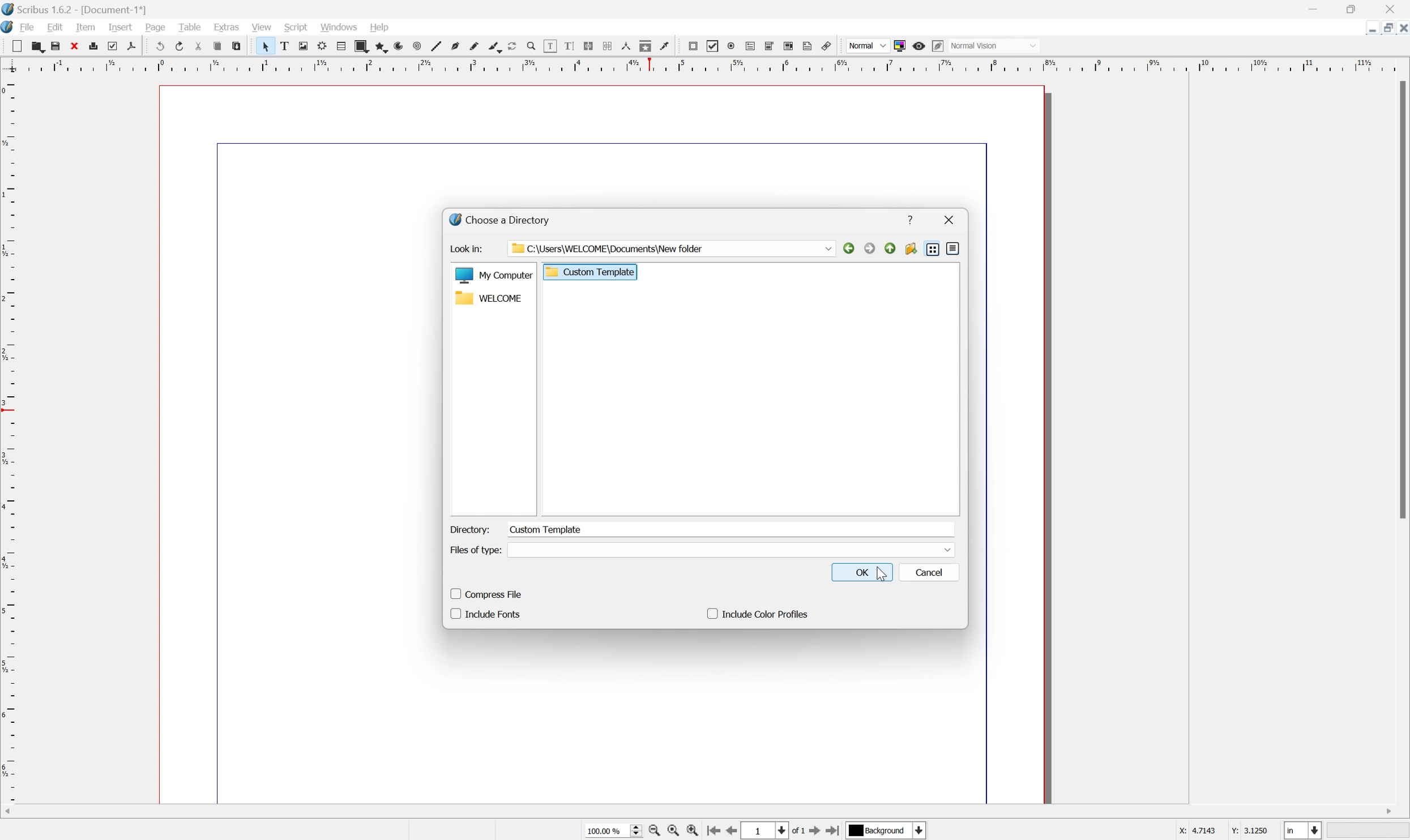 Image resolution: width=1410 pixels, height=840 pixels. Describe the element at coordinates (732, 832) in the screenshot. I see `Go to previous page` at that location.